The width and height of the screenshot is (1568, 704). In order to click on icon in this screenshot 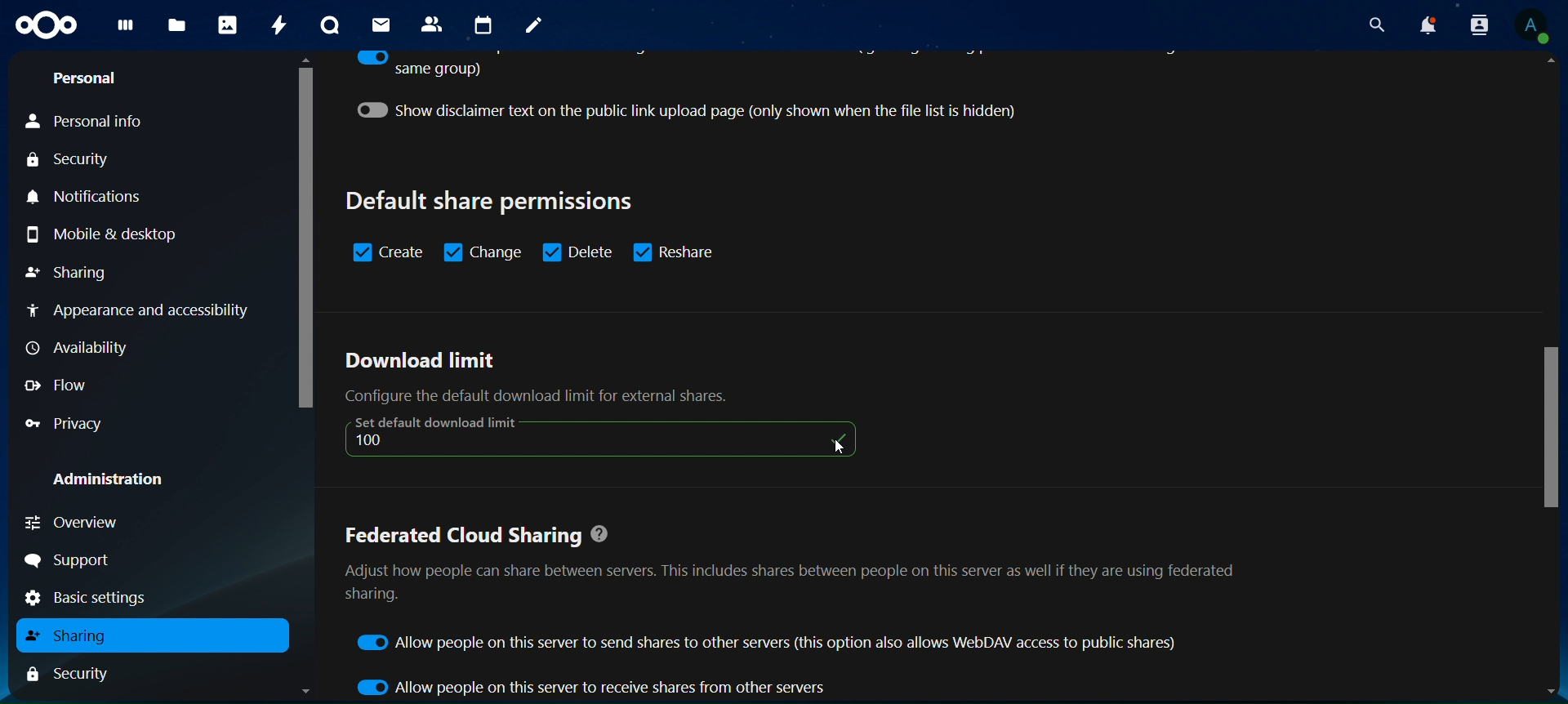, I will do `click(602, 436)`.